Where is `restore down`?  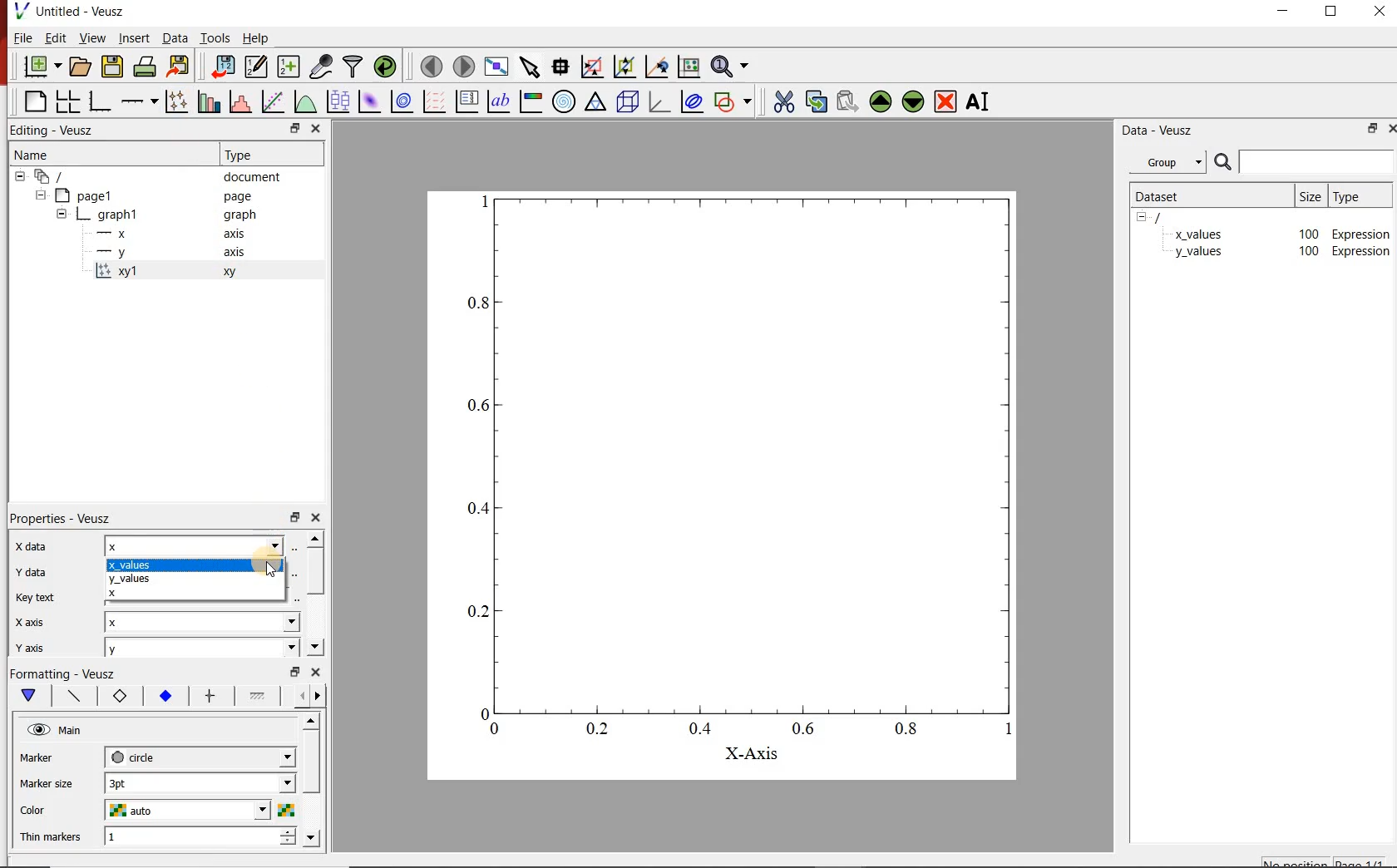 restore down is located at coordinates (295, 671).